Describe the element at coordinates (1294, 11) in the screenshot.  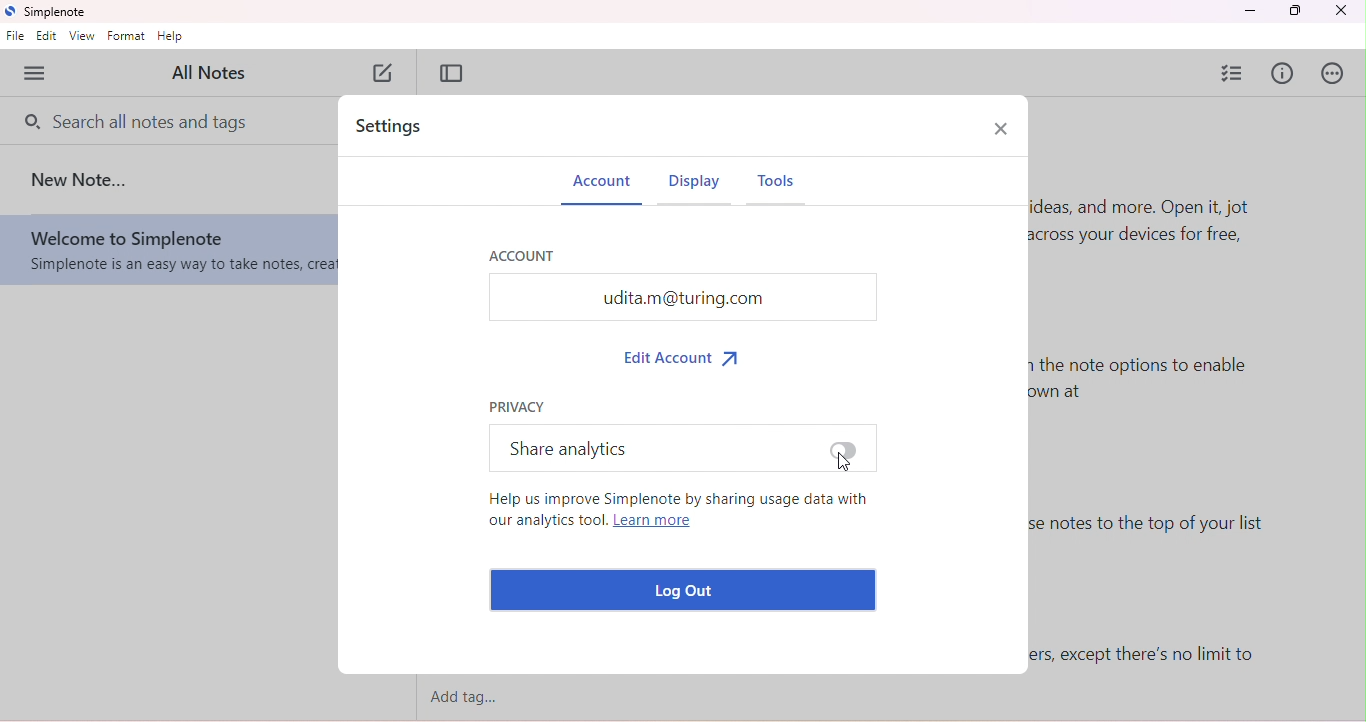
I see `maximize` at that location.